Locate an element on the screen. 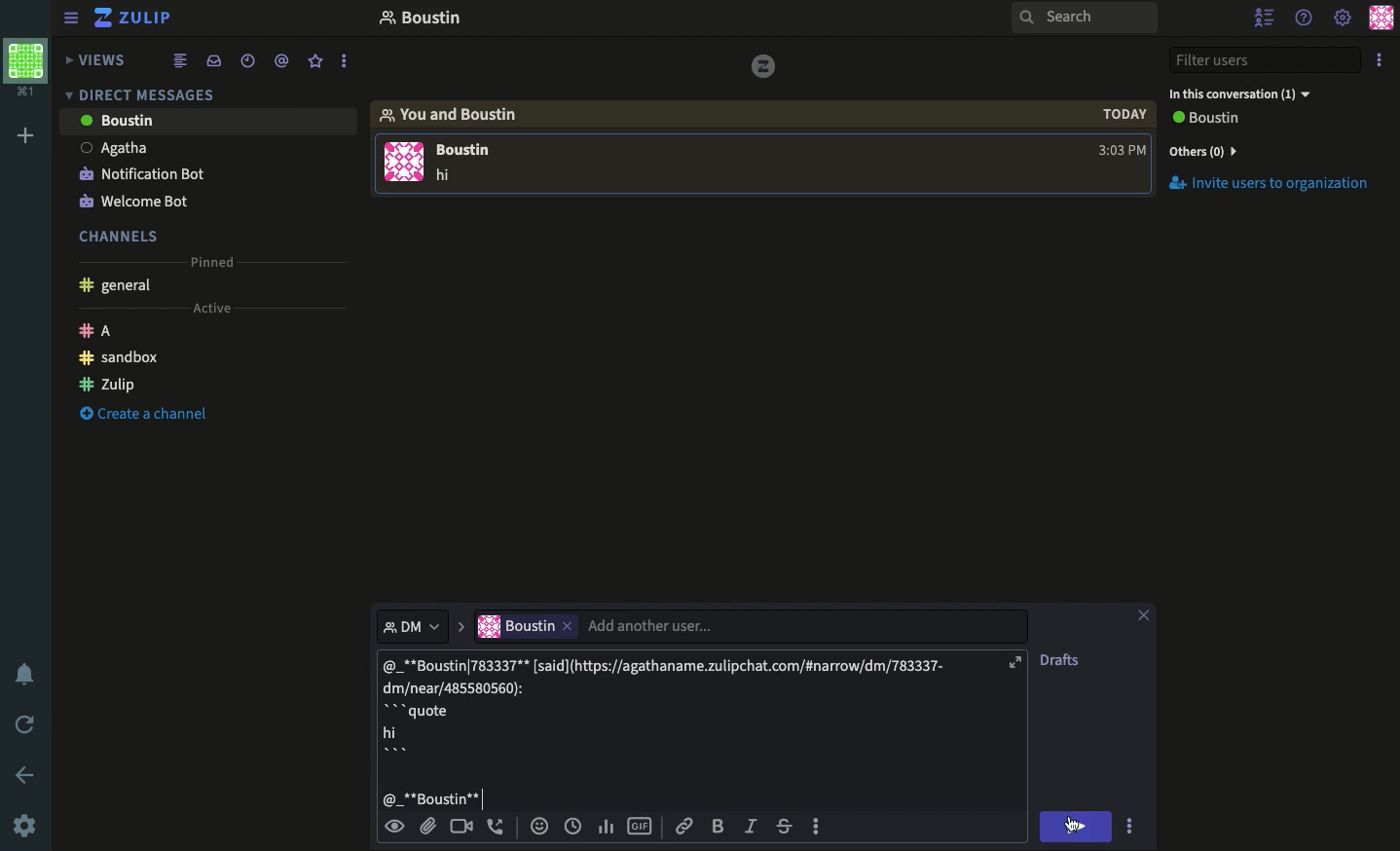 The height and width of the screenshot is (851, 1400). Mouse Cursor is located at coordinates (1076, 830).